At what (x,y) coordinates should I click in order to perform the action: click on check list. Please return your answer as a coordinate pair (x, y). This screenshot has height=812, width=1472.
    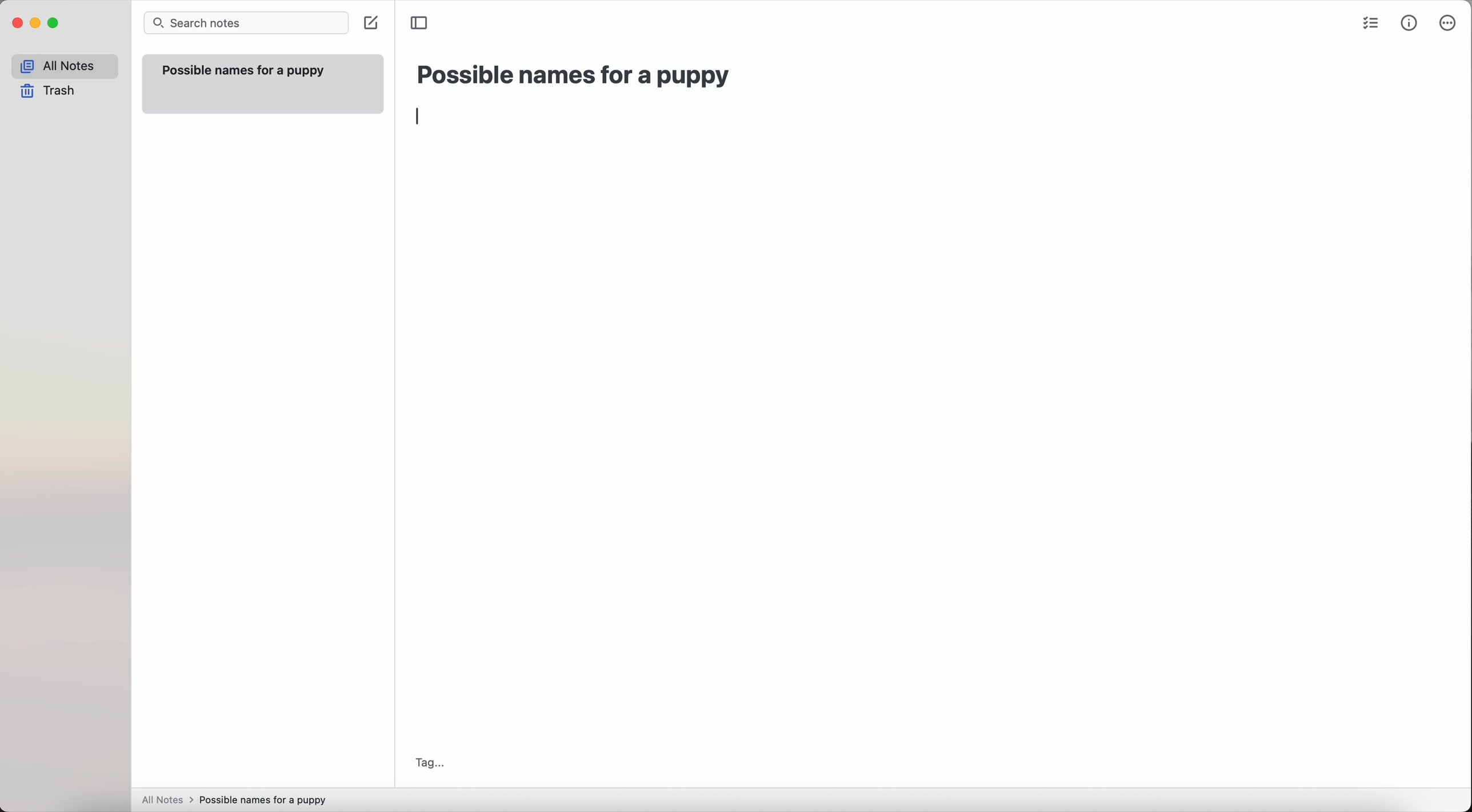
    Looking at the image, I should click on (1370, 25).